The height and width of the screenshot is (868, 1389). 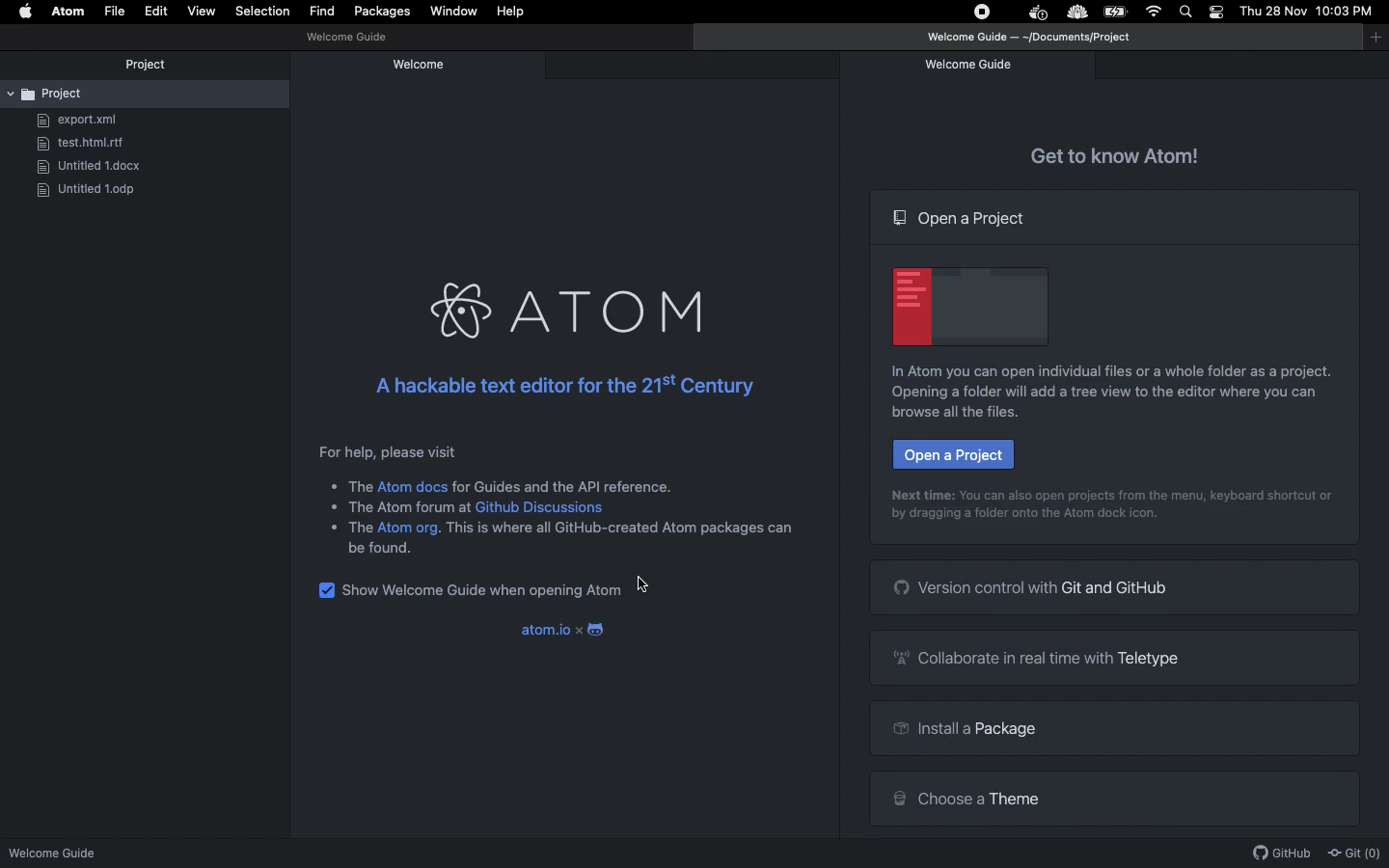 What do you see at coordinates (964, 308) in the screenshot?
I see `Screen` at bounding box center [964, 308].